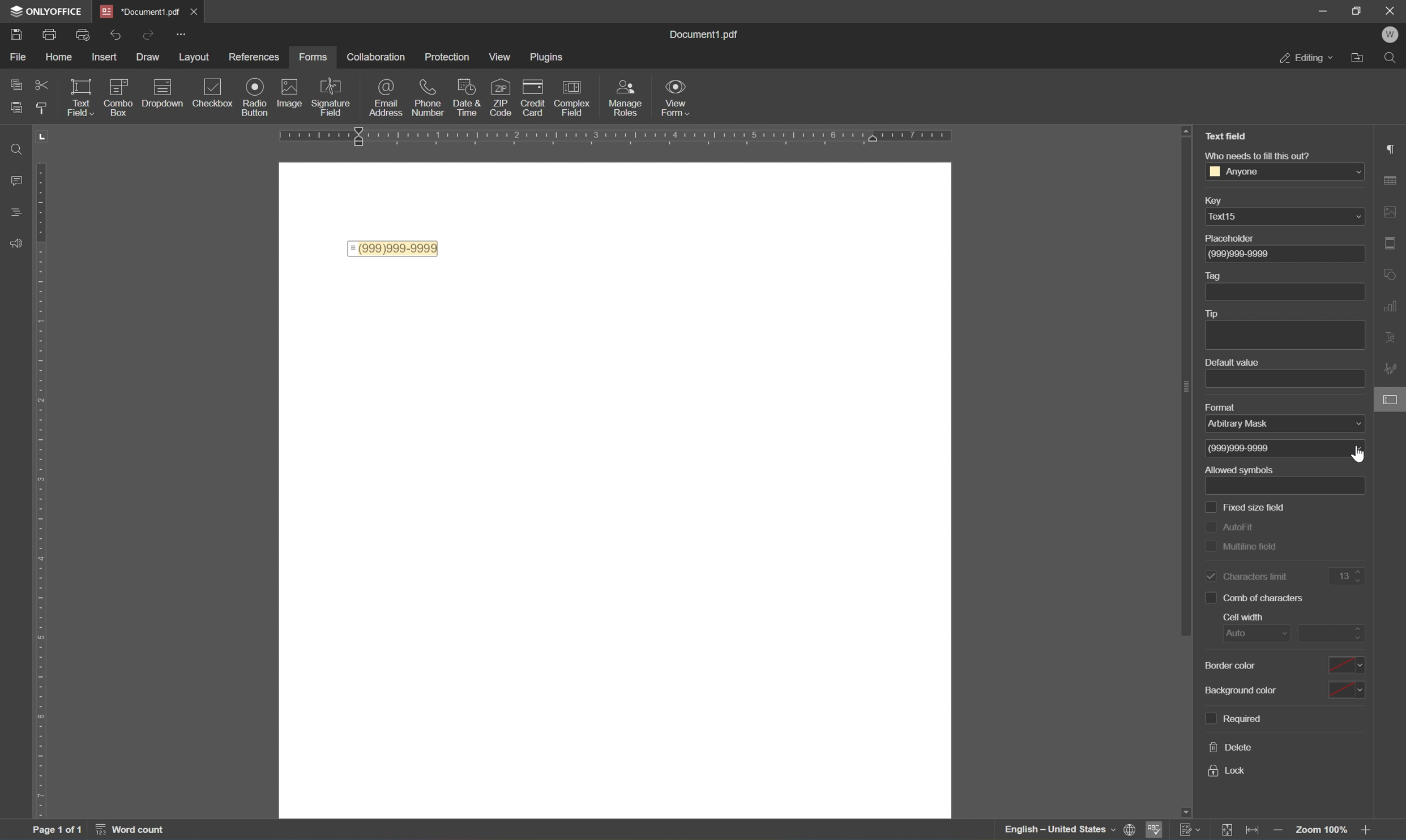  What do you see at coordinates (708, 34) in the screenshot?
I see `document1.pdf` at bounding box center [708, 34].